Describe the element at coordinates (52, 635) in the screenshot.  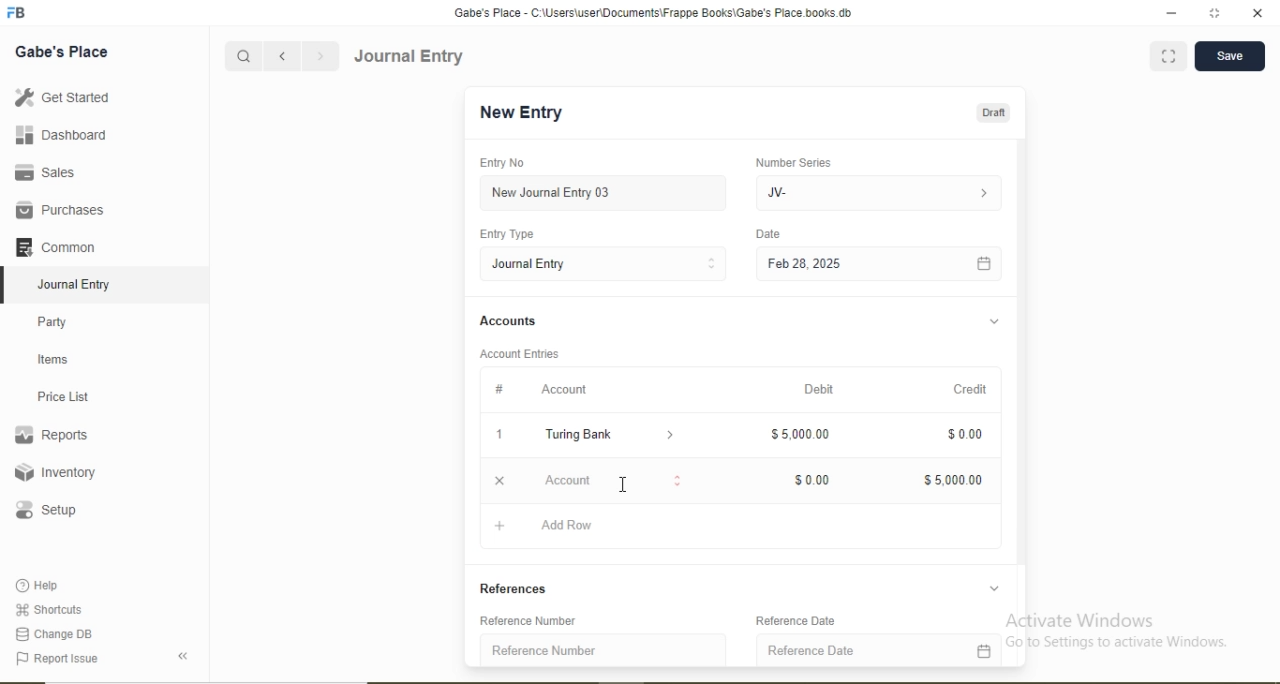
I see `Change DB` at that location.